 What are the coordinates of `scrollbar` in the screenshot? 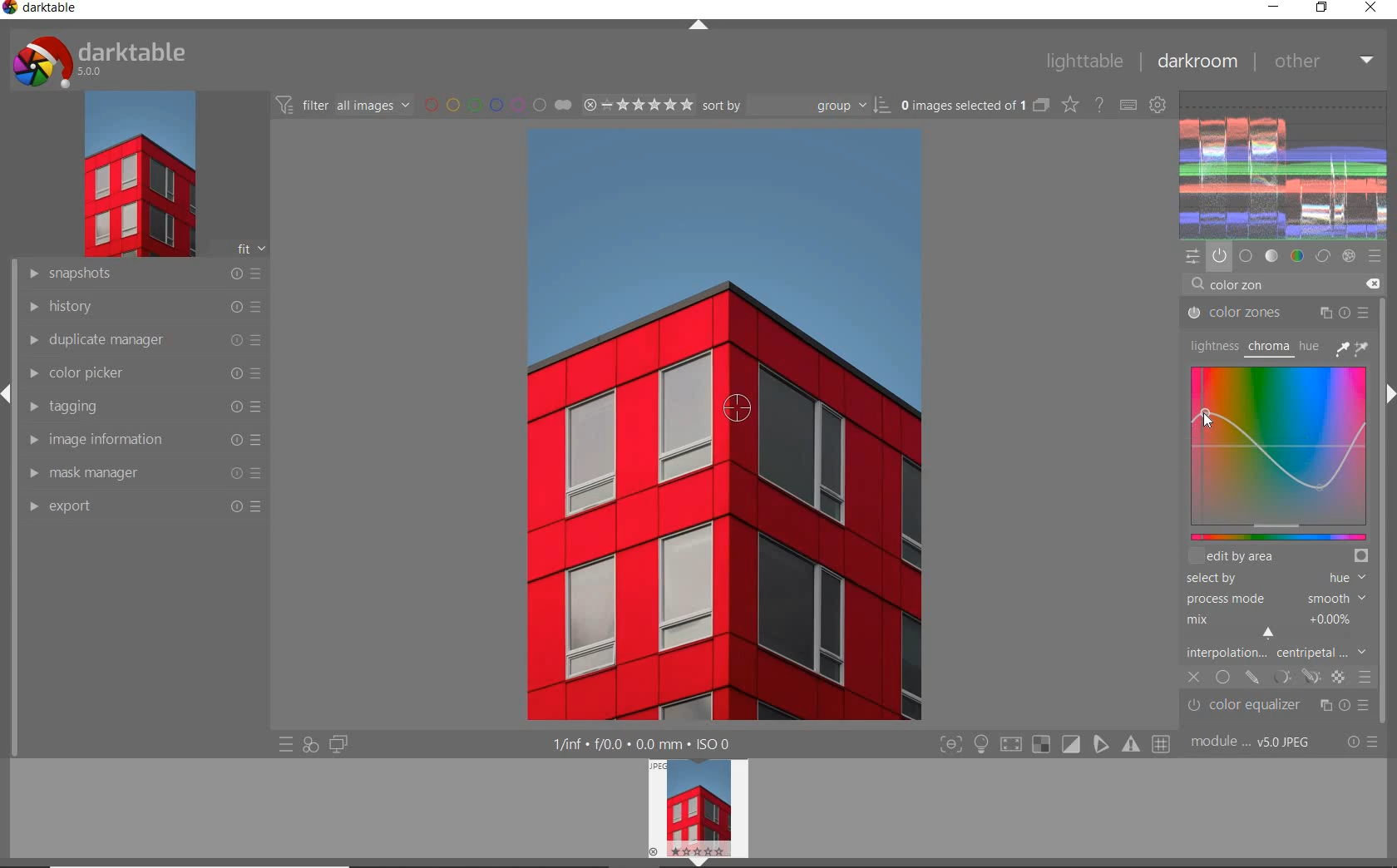 It's located at (1389, 560).